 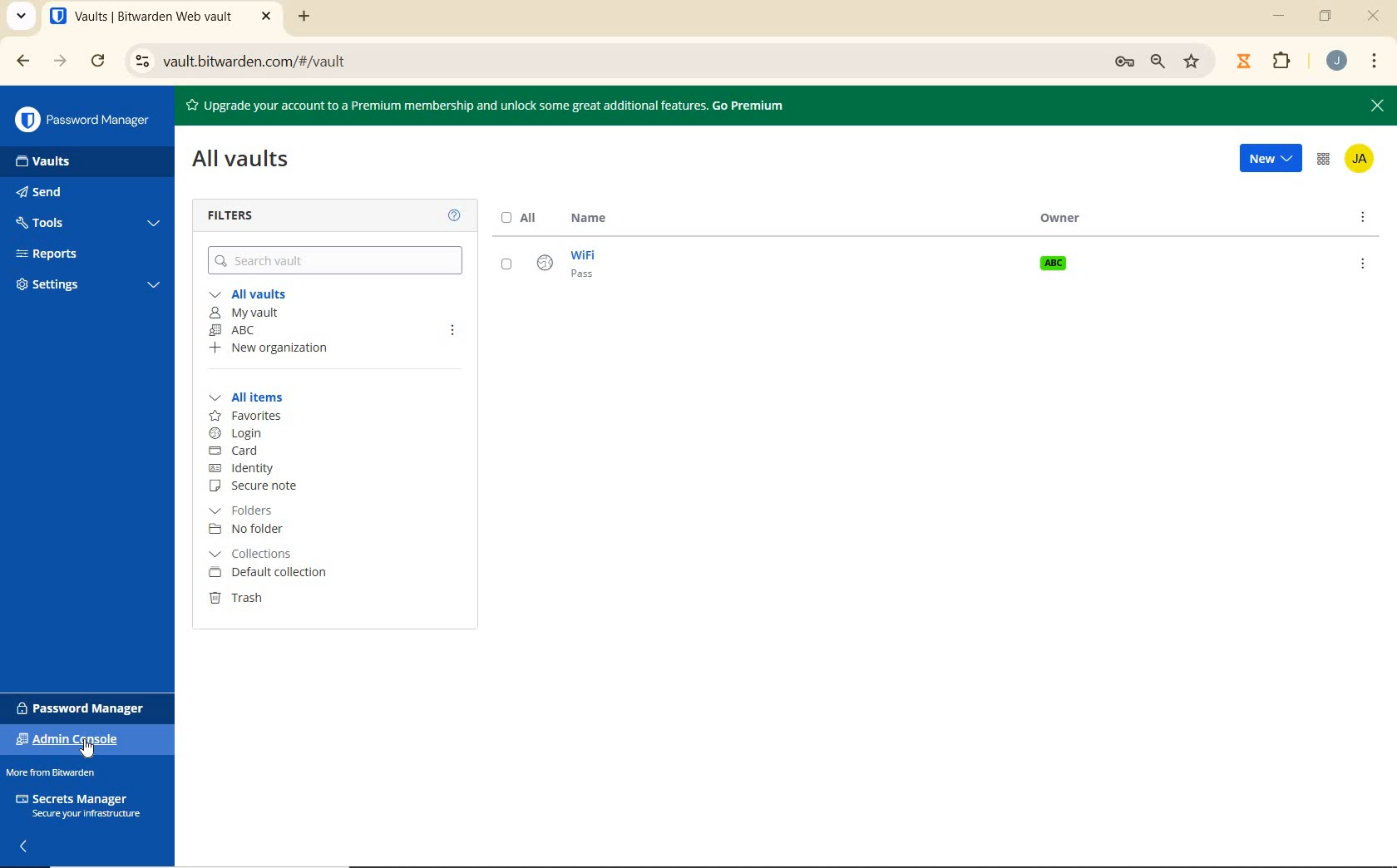 I want to click on TOOLS, so click(x=88, y=223).